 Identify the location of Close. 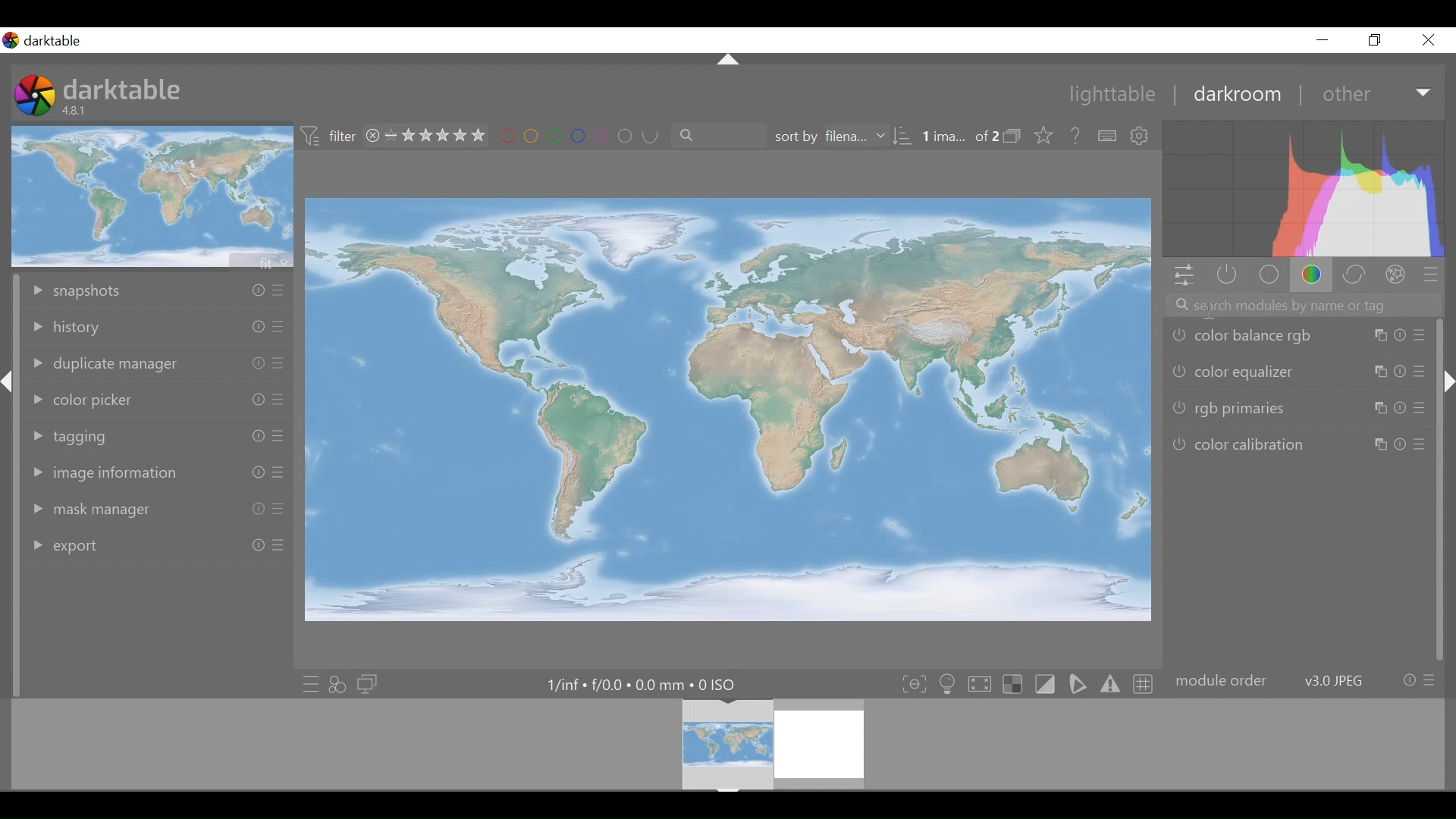
(1427, 39).